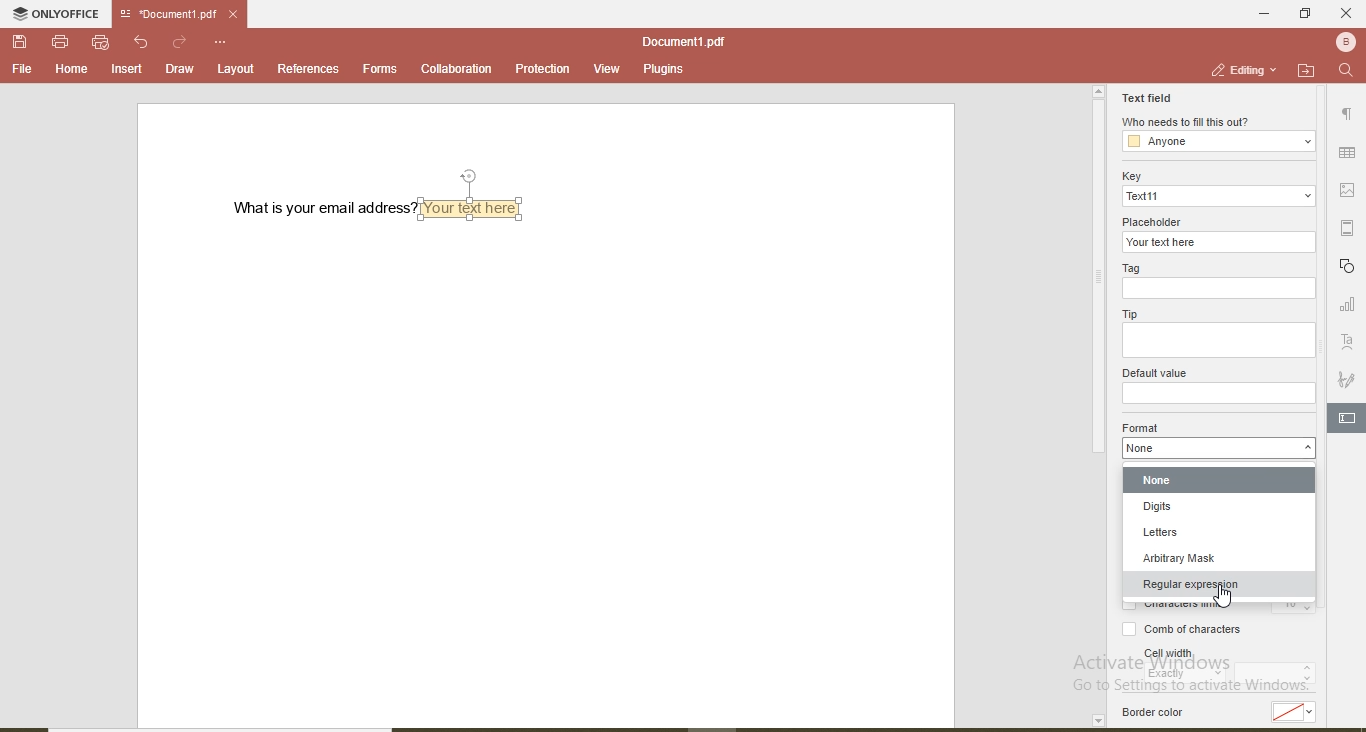 The width and height of the screenshot is (1366, 732). Describe the element at coordinates (1217, 341) in the screenshot. I see `tip input` at that location.